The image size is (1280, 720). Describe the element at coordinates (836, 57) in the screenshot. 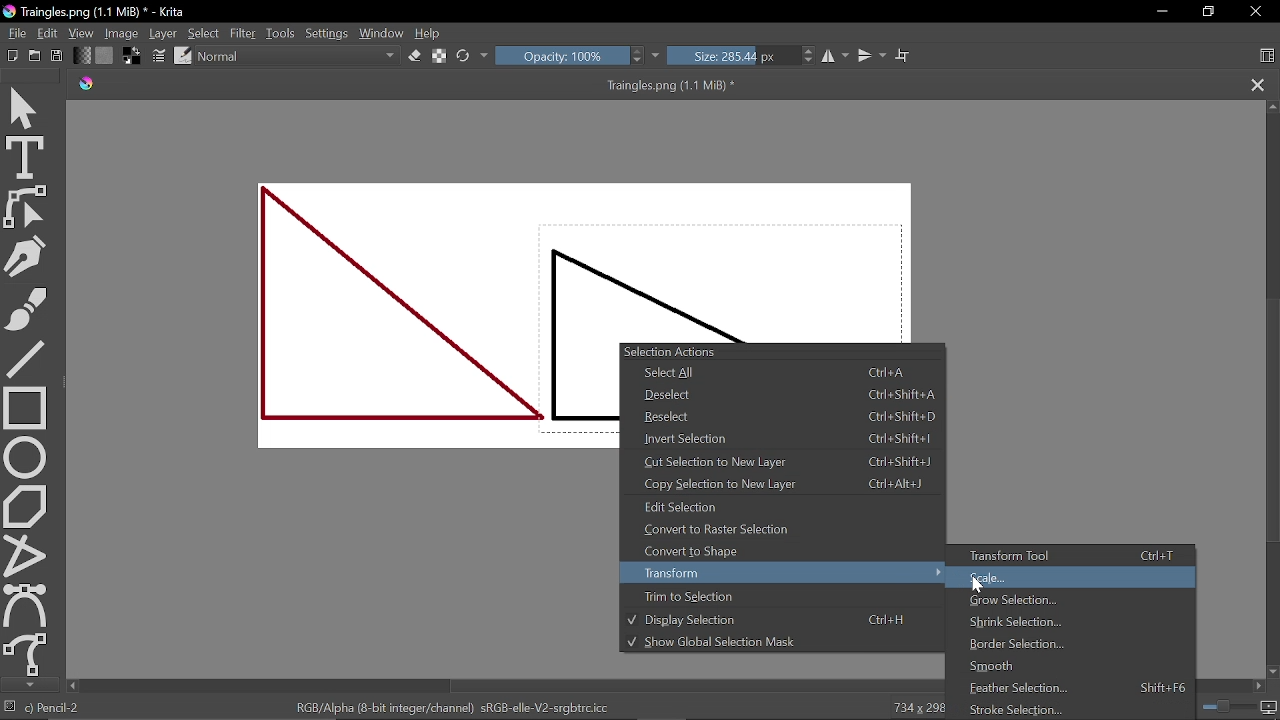

I see `Horizontal mirror tool` at that location.